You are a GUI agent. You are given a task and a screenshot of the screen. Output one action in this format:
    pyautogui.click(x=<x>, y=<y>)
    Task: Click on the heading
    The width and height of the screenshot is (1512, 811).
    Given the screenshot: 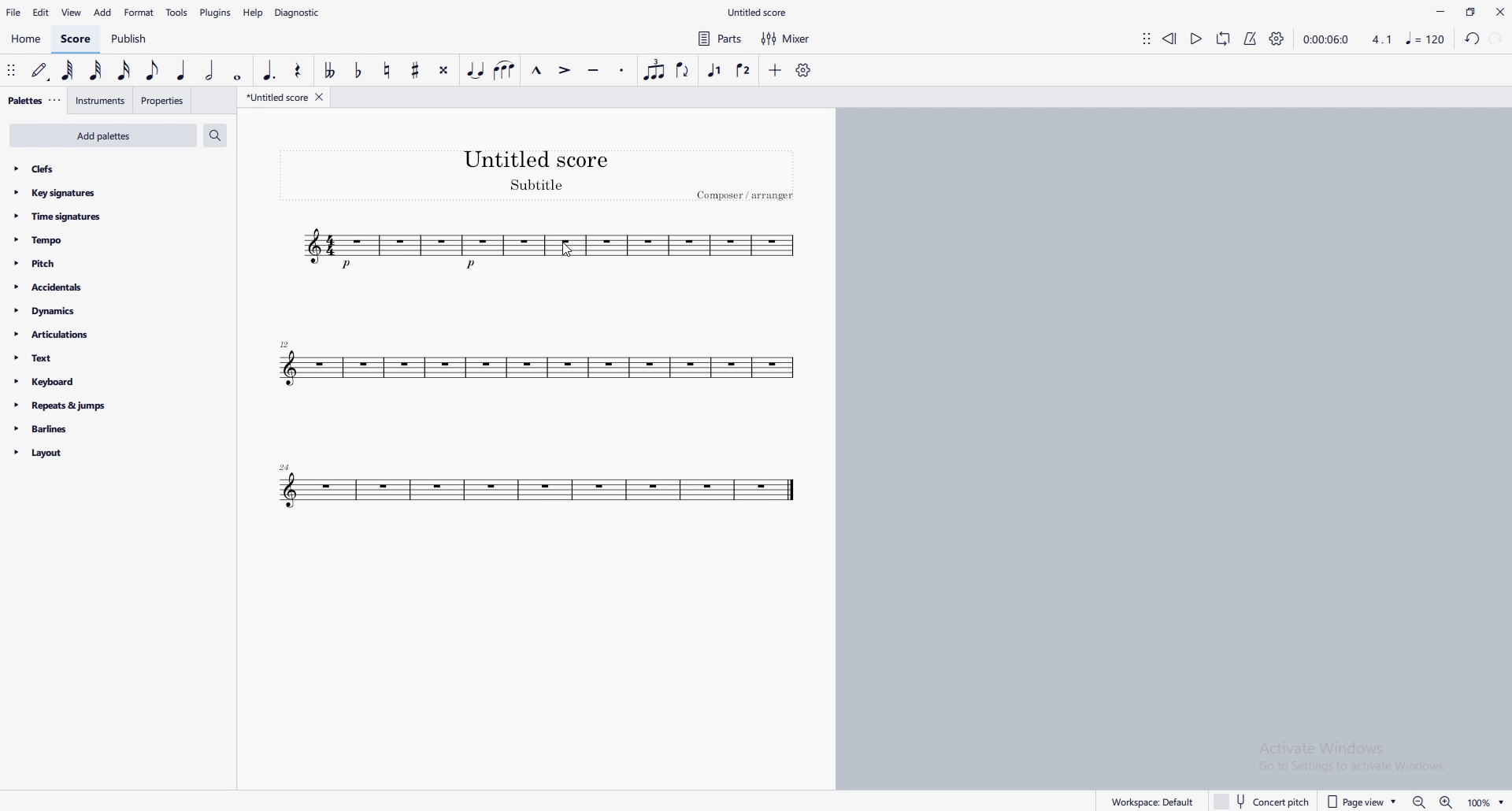 What is the action you would take?
    pyautogui.click(x=538, y=175)
    